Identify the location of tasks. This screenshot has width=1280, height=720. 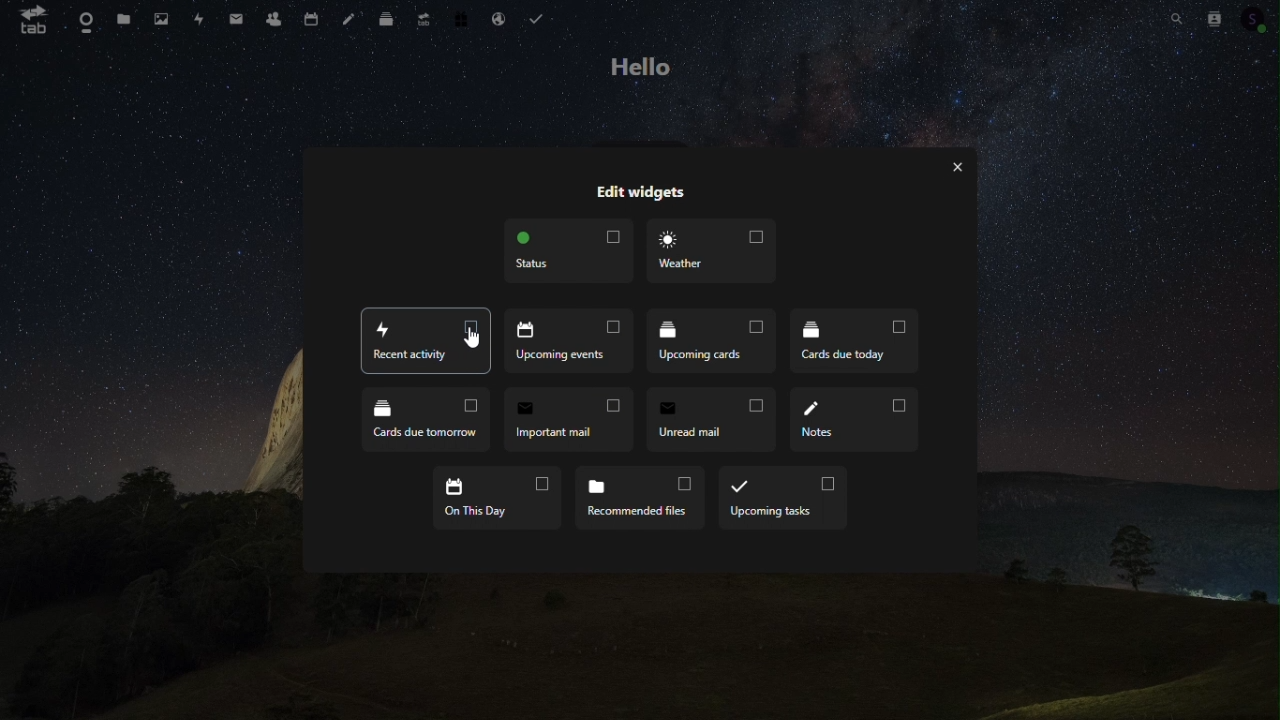
(541, 18).